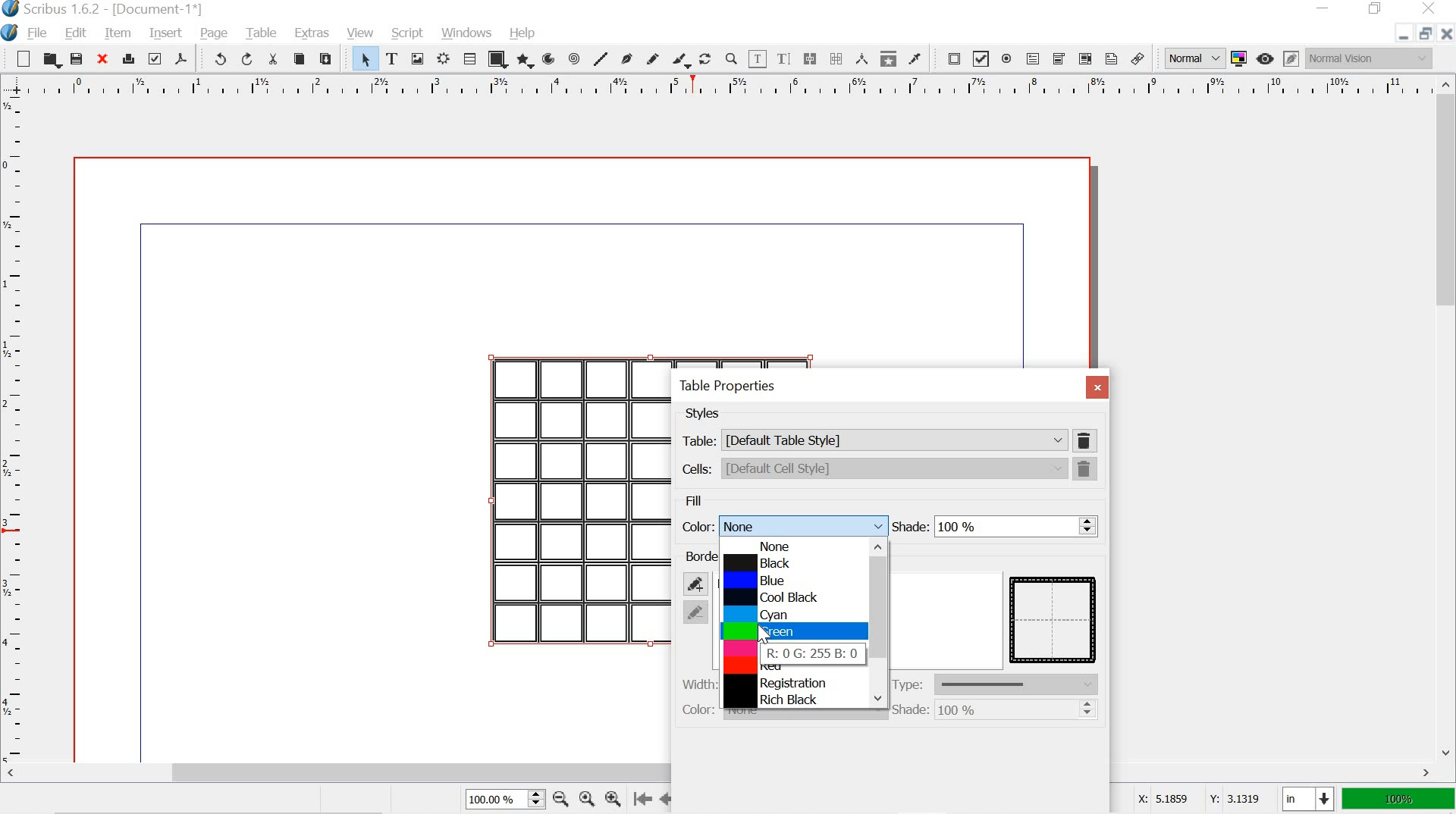 The image size is (1456, 814). Describe the element at coordinates (442, 60) in the screenshot. I see `render frame` at that location.